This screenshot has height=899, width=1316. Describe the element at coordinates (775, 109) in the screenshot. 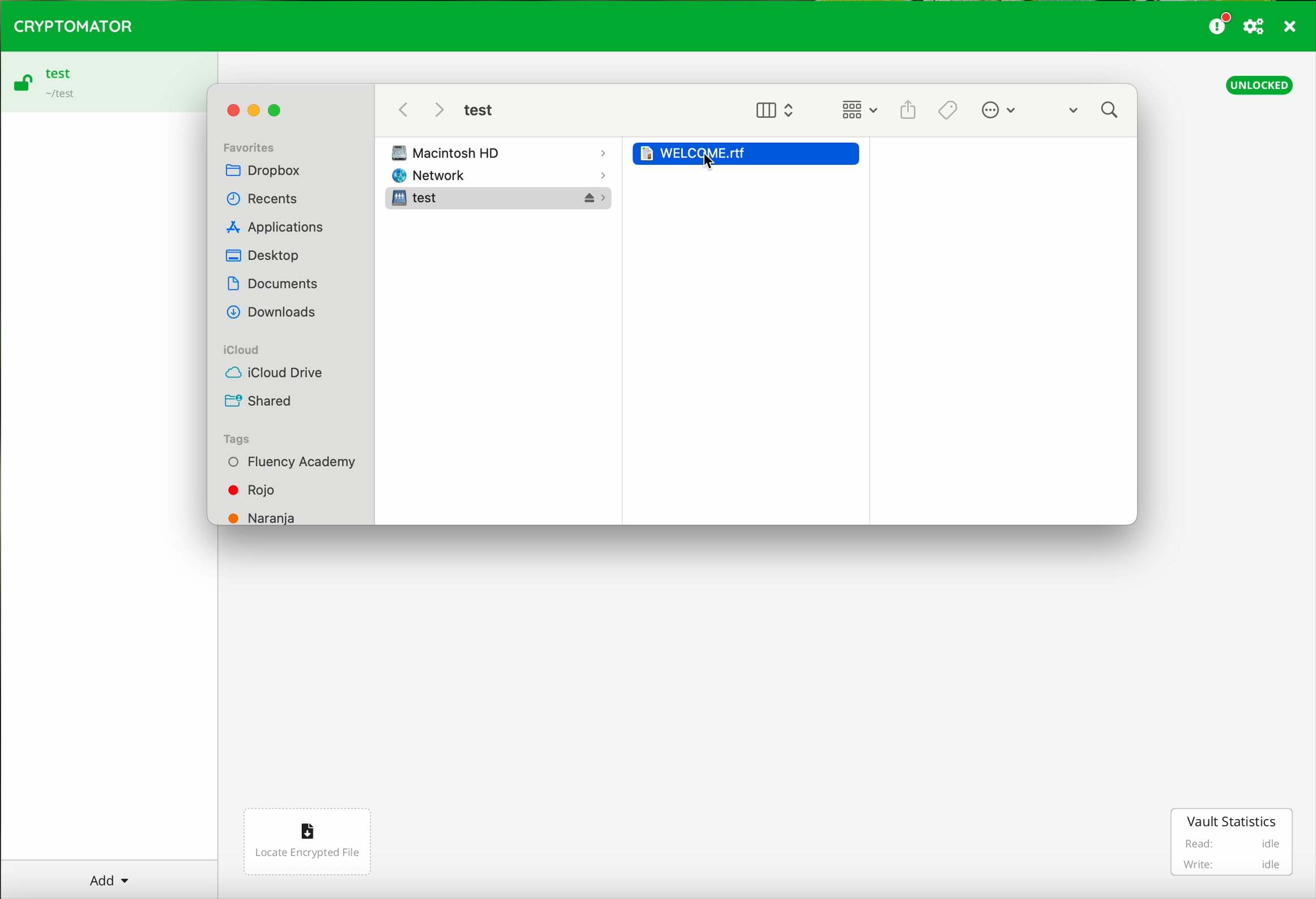

I see `Column View` at that location.